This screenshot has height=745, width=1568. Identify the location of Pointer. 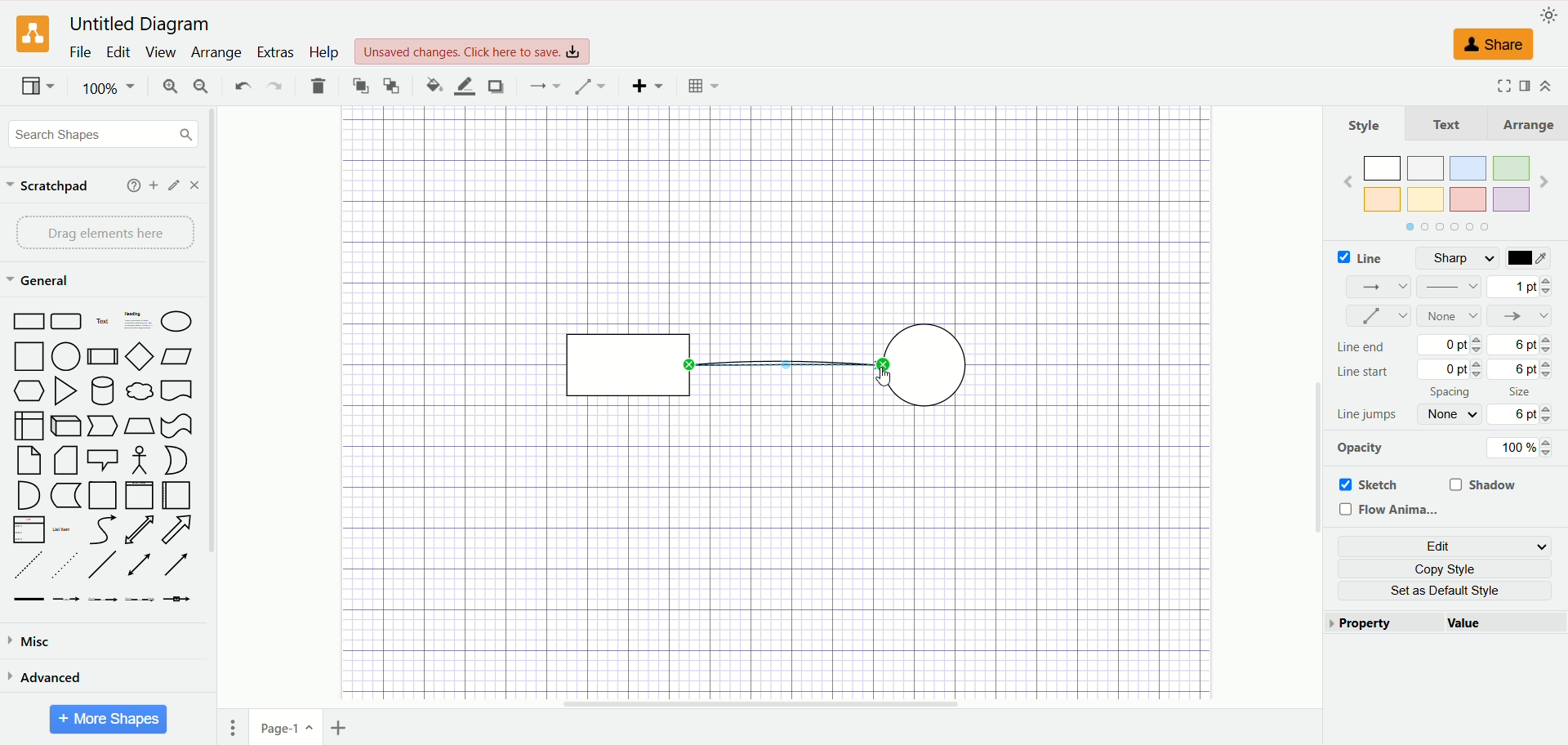
(104, 426).